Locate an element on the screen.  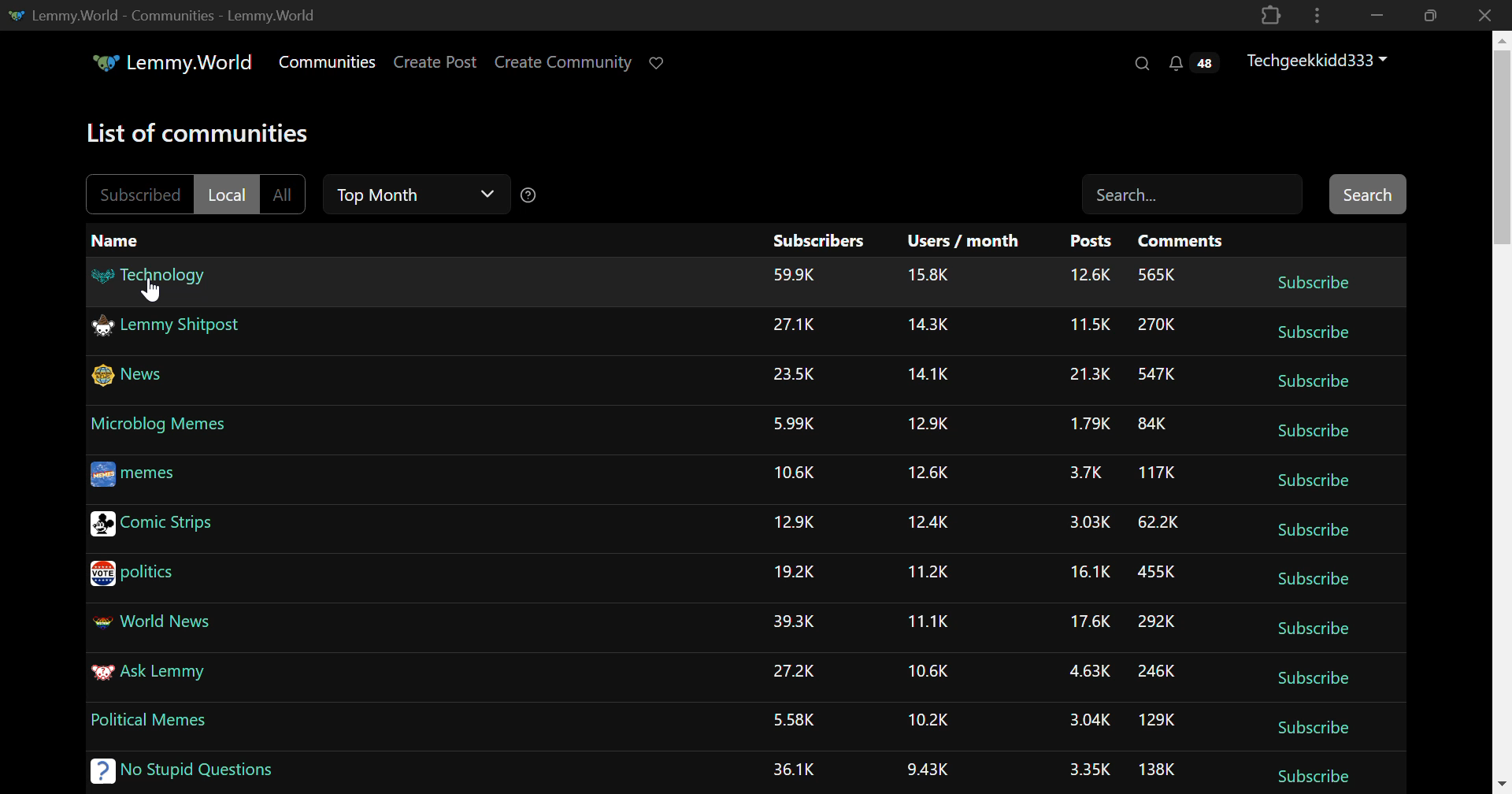
27.2K is located at coordinates (792, 671).